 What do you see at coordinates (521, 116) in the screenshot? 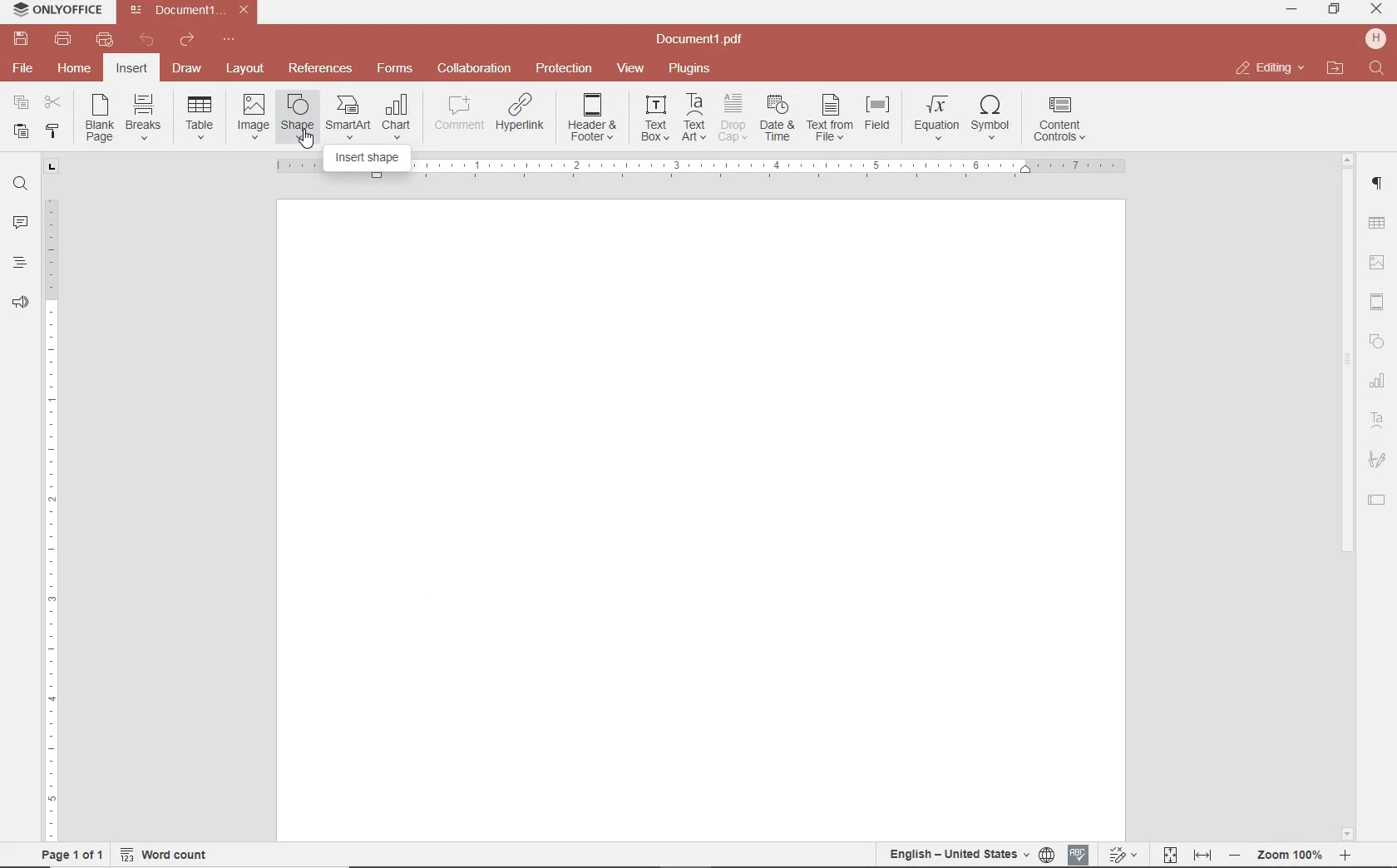
I see `ADD HYPERLINK` at bounding box center [521, 116].